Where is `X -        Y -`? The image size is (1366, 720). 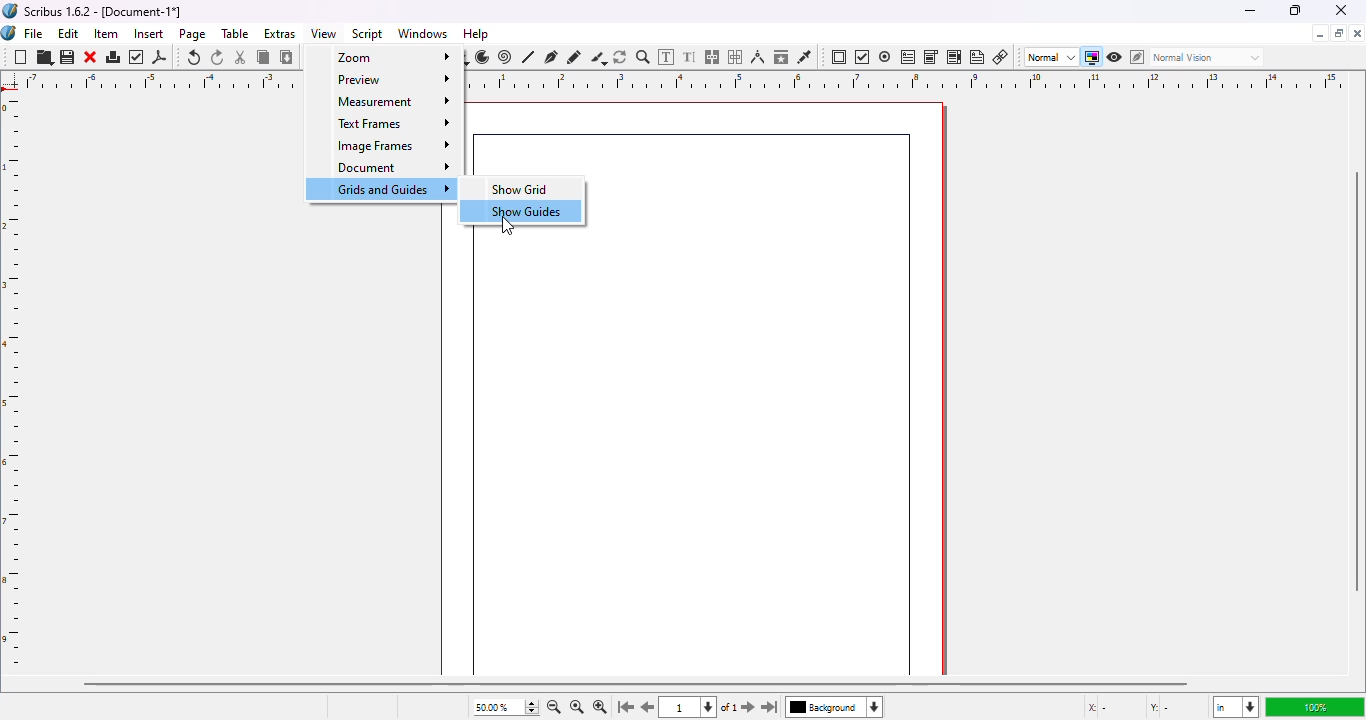 X -        Y - is located at coordinates (1131, 708).